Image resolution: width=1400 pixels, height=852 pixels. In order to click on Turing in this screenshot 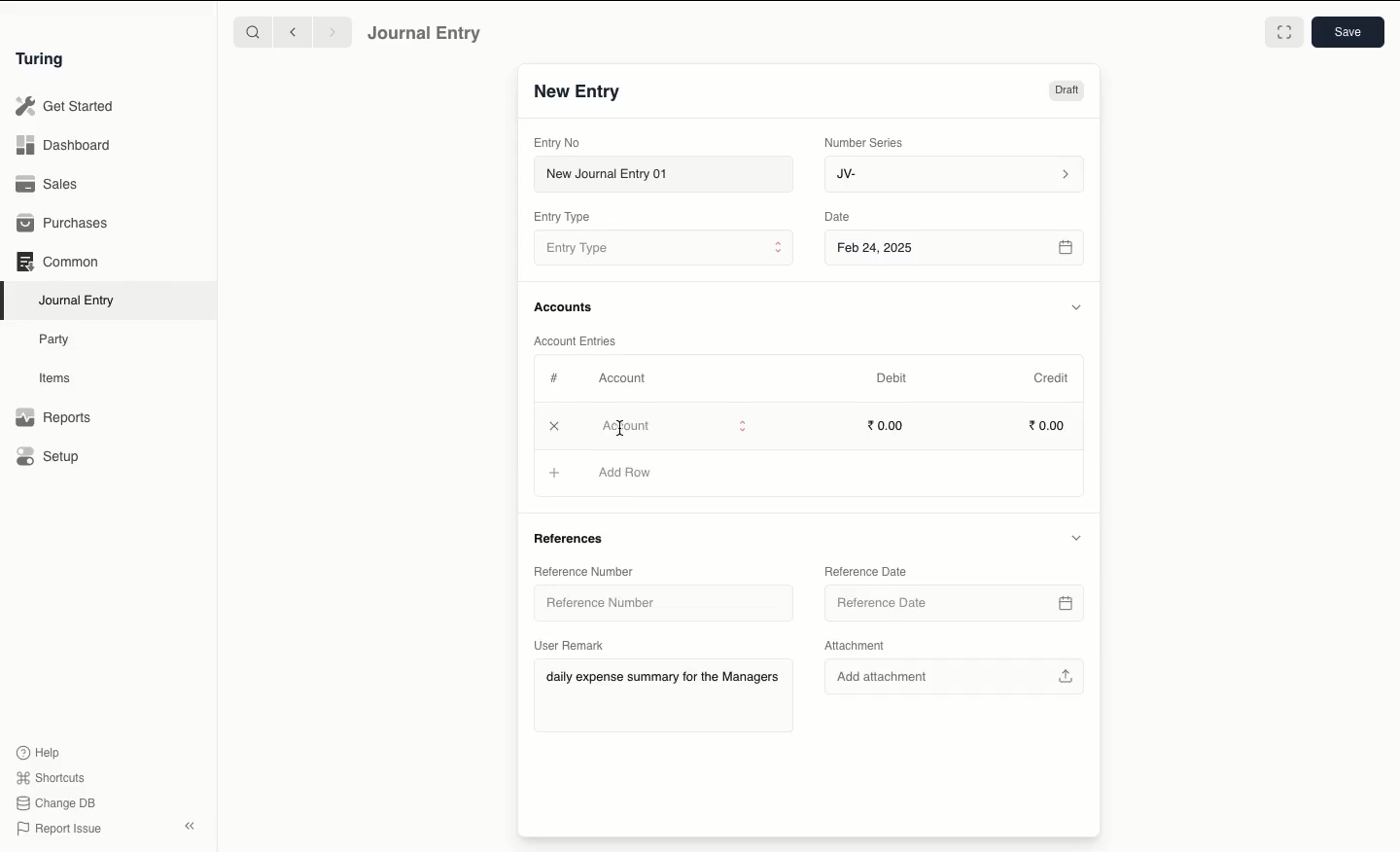, I will do `click(44, 60)`.